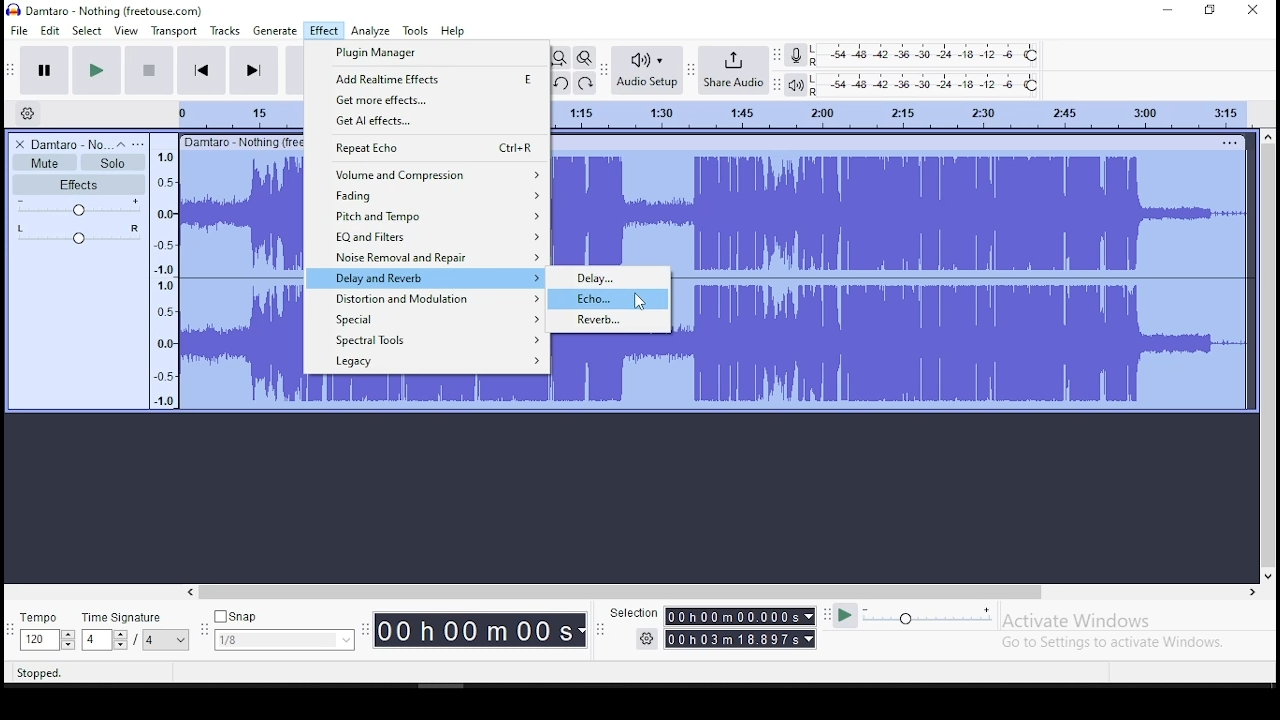  Describe the element at coordinates (417, 31) in the screenshot. I see `tools` at that location.